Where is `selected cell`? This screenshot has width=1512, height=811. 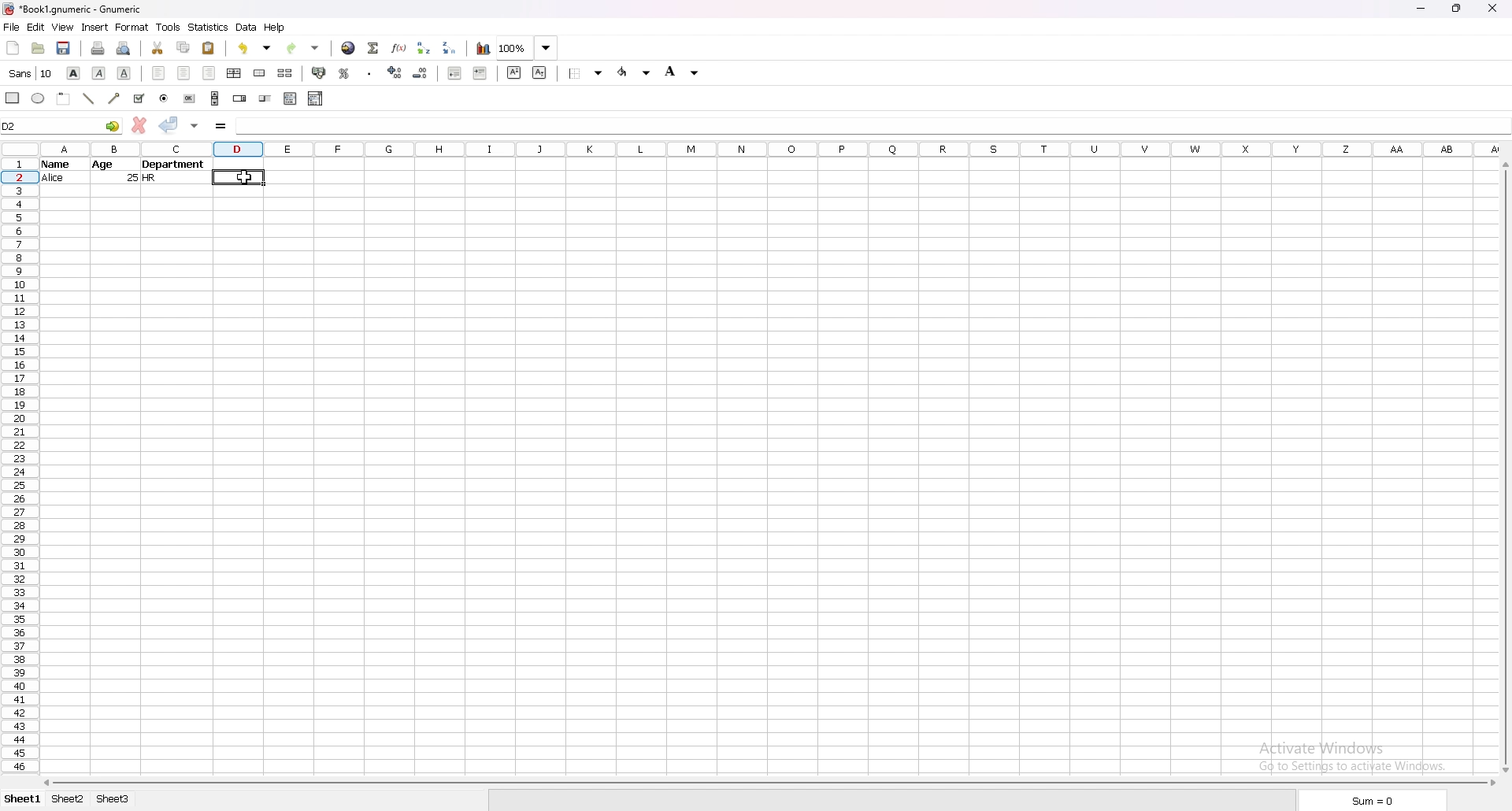
selected cell is located at coordinates (870, 127).